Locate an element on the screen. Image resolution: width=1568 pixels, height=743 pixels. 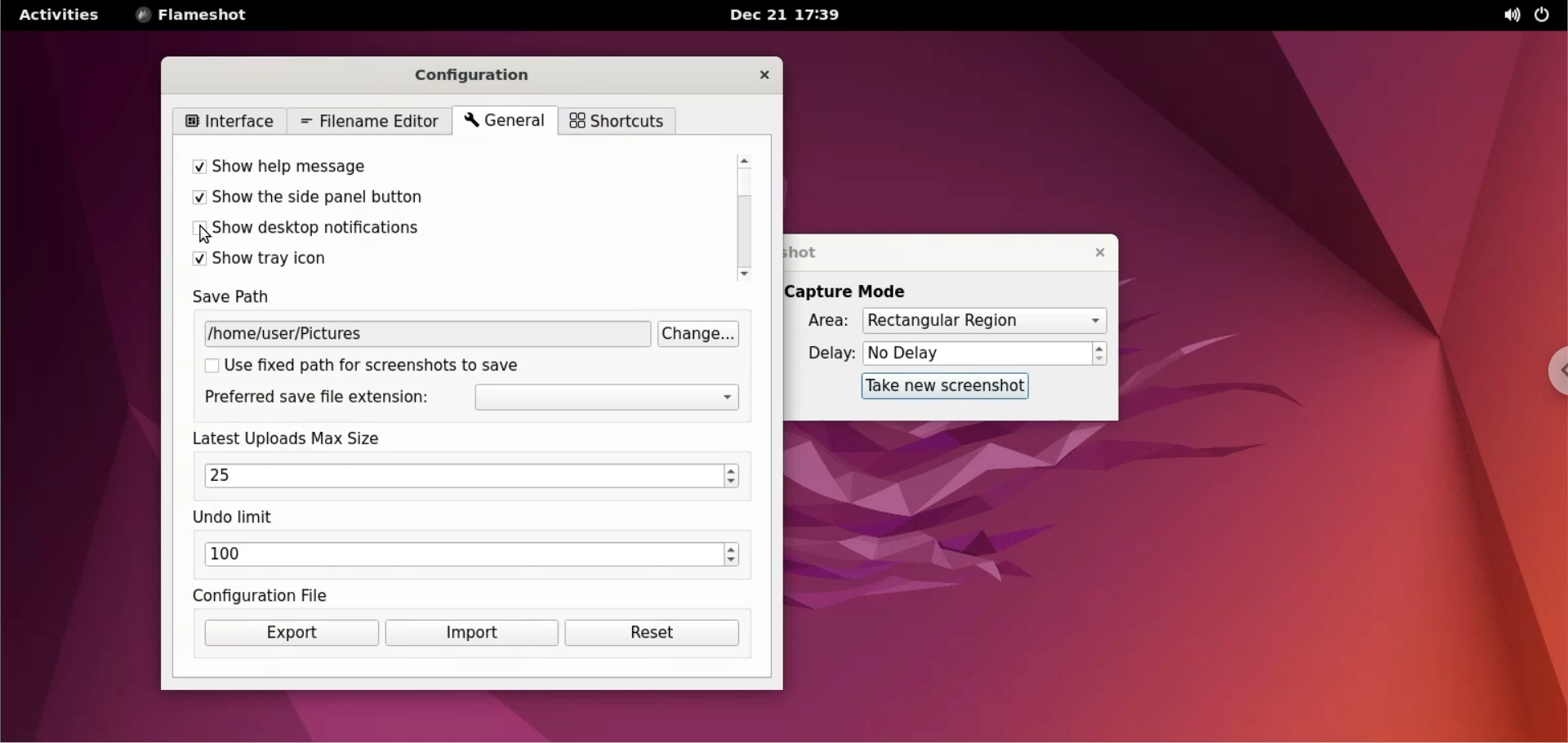
show desktop notification checkbox is located at coordinates (430, 229).